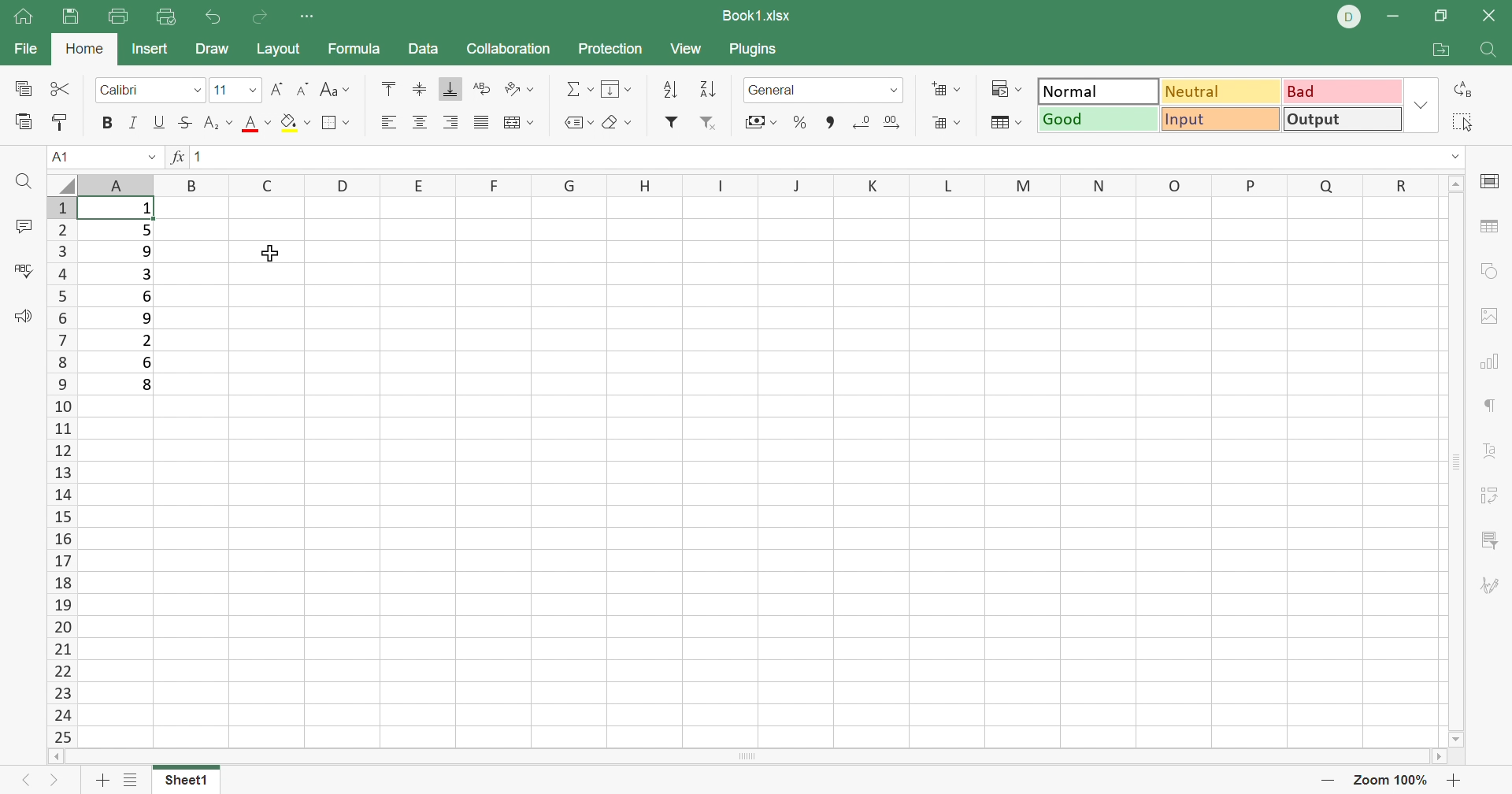  Describe the element at coordinates (799, 122) in the screenshot. I see `Percent style` at that location.